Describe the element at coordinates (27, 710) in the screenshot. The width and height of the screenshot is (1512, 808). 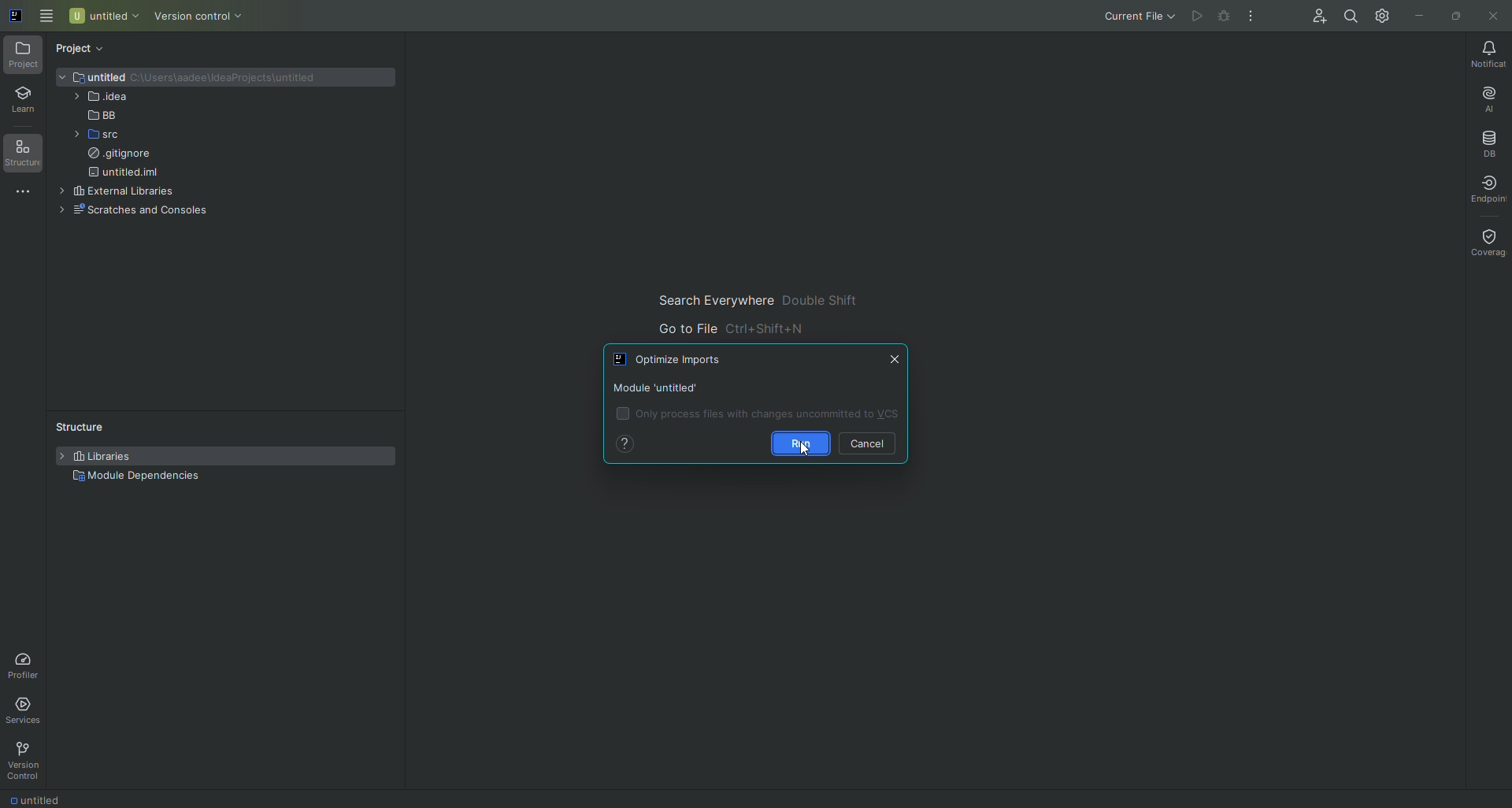
I see `Services` at that location.